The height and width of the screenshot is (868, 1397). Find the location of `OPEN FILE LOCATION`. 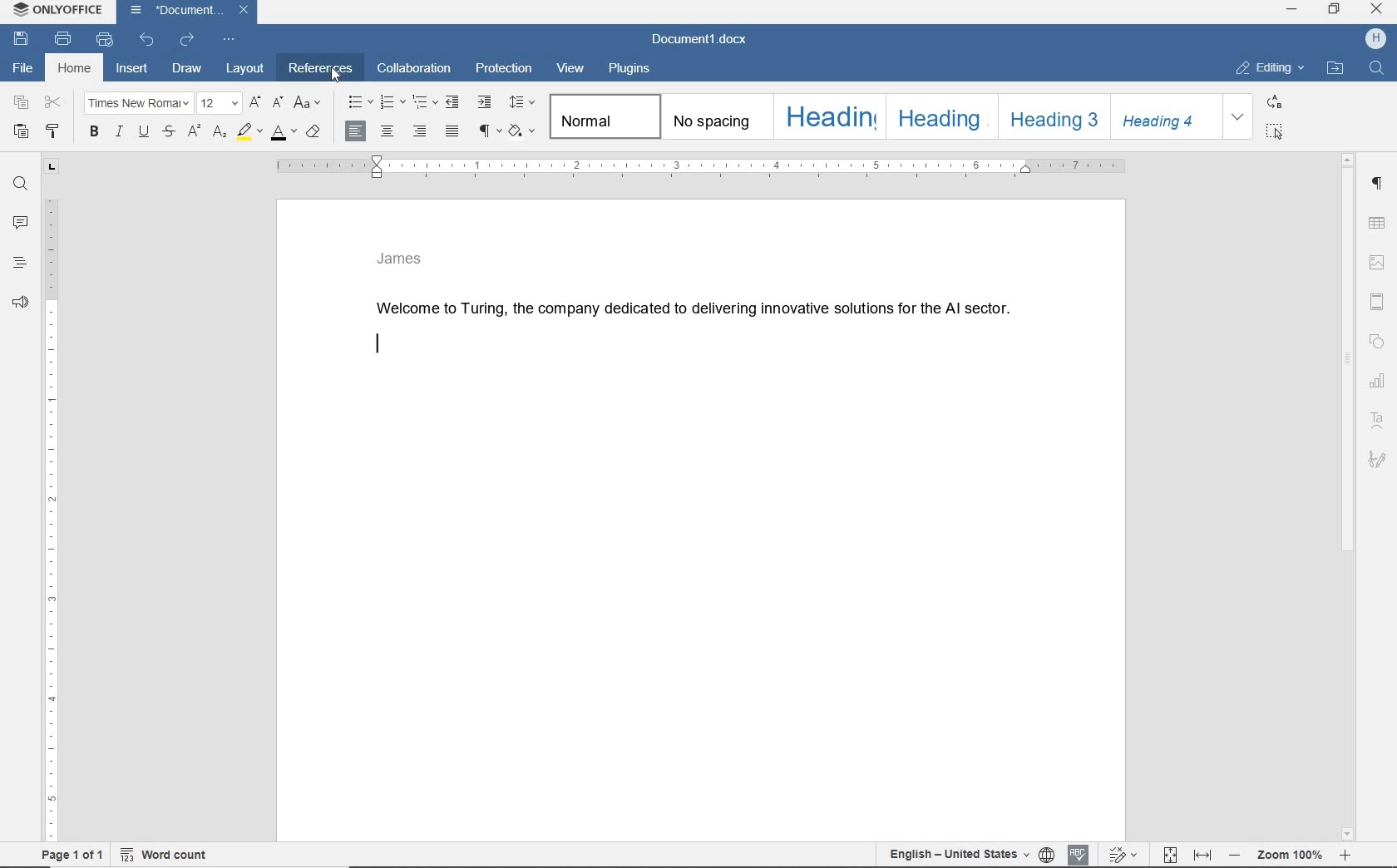

OPEN FILE LOCATION is located at coordinates (1335, 69).